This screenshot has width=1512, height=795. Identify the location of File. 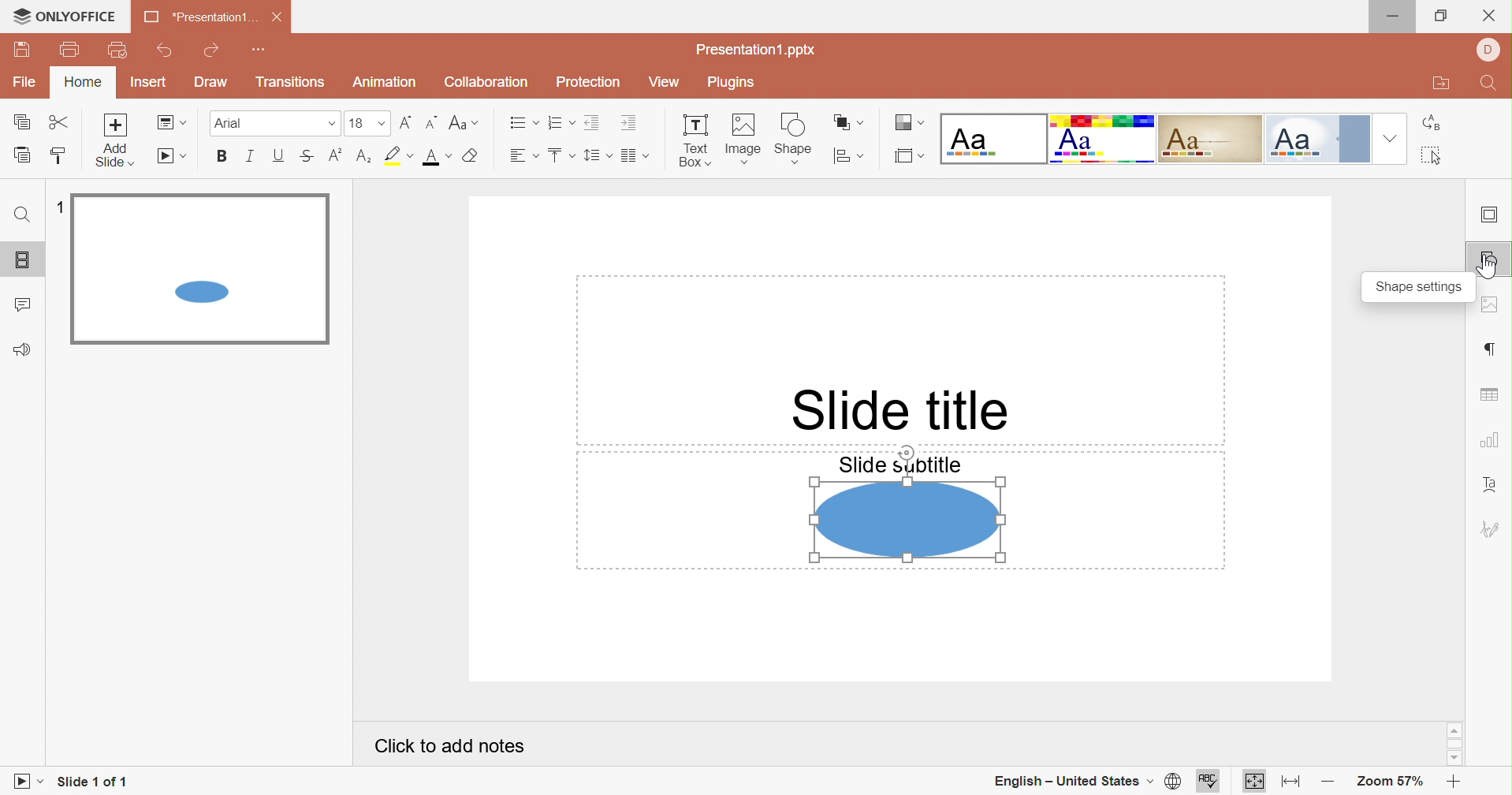
(24, 83).